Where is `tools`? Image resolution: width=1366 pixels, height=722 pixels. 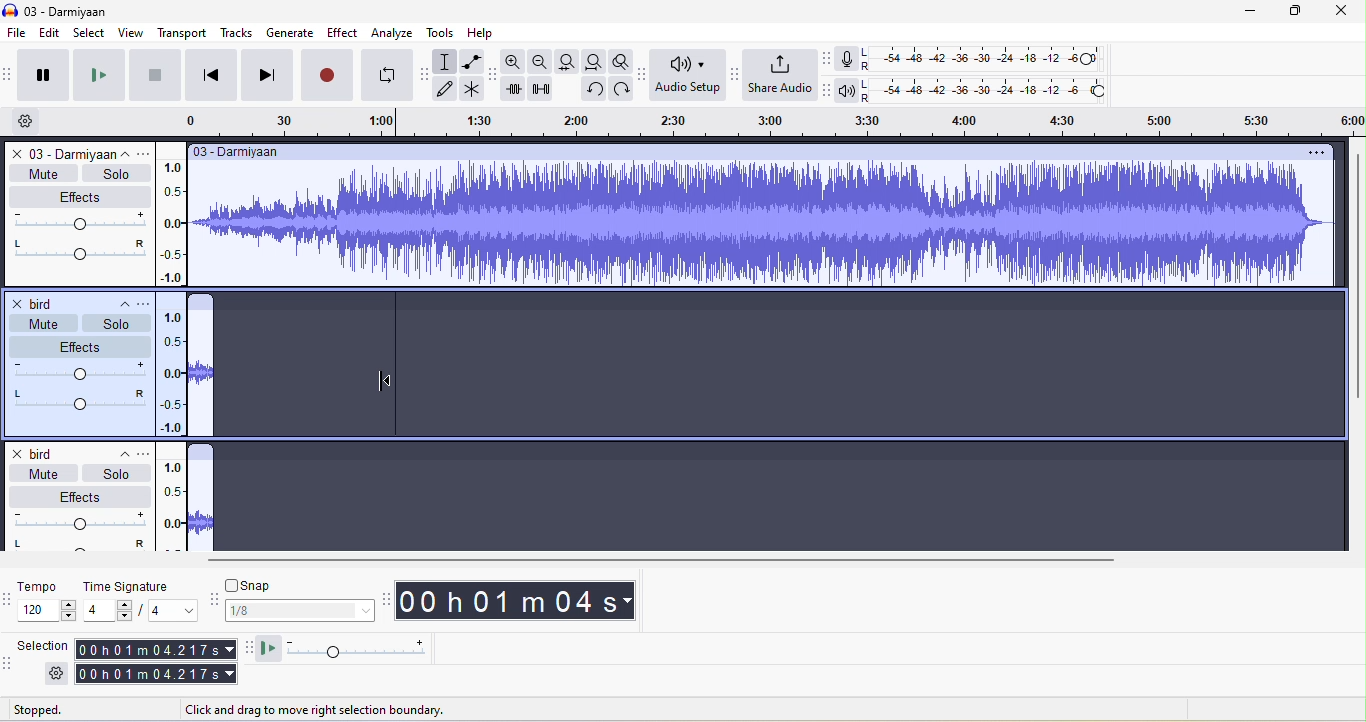
tools is located at coordinates (441, 32).